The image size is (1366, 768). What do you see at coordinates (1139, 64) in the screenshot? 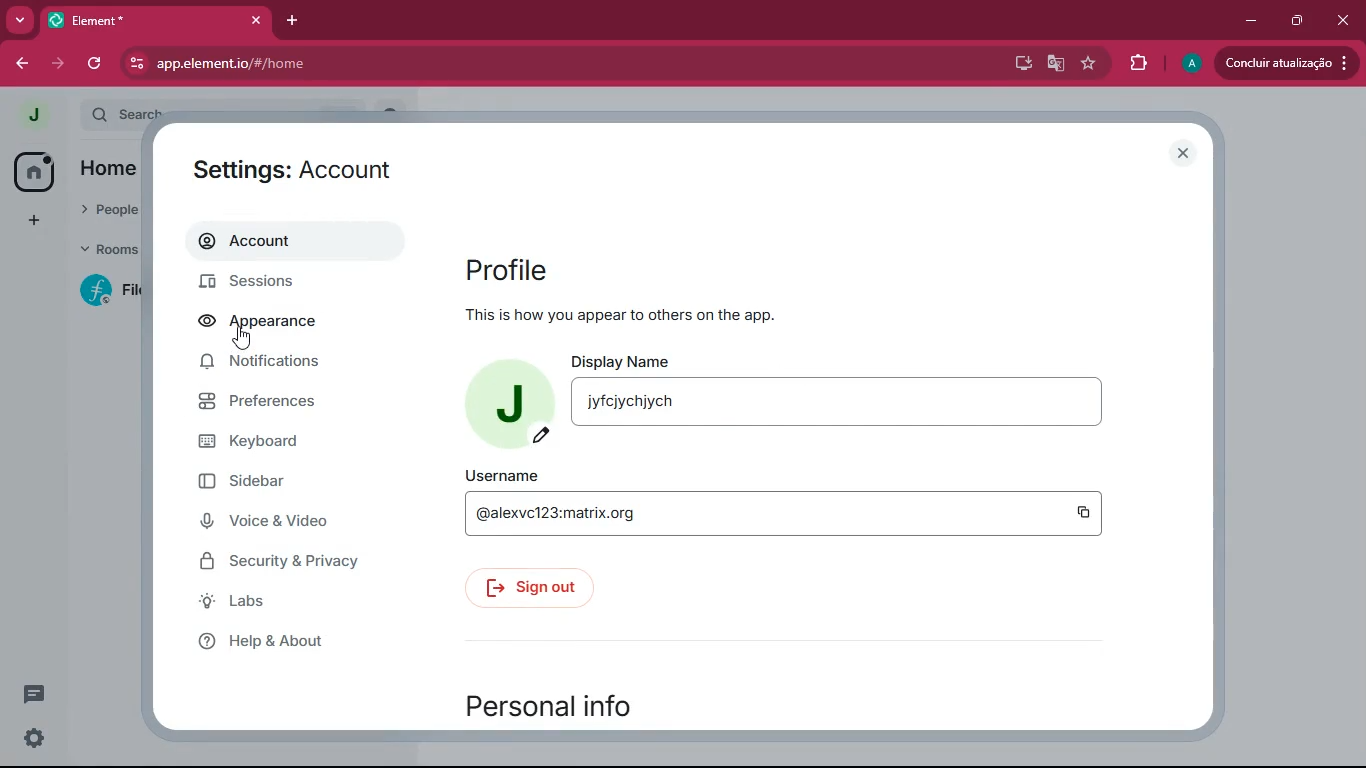
I see `extensions` at bounding box center [1139, 64].